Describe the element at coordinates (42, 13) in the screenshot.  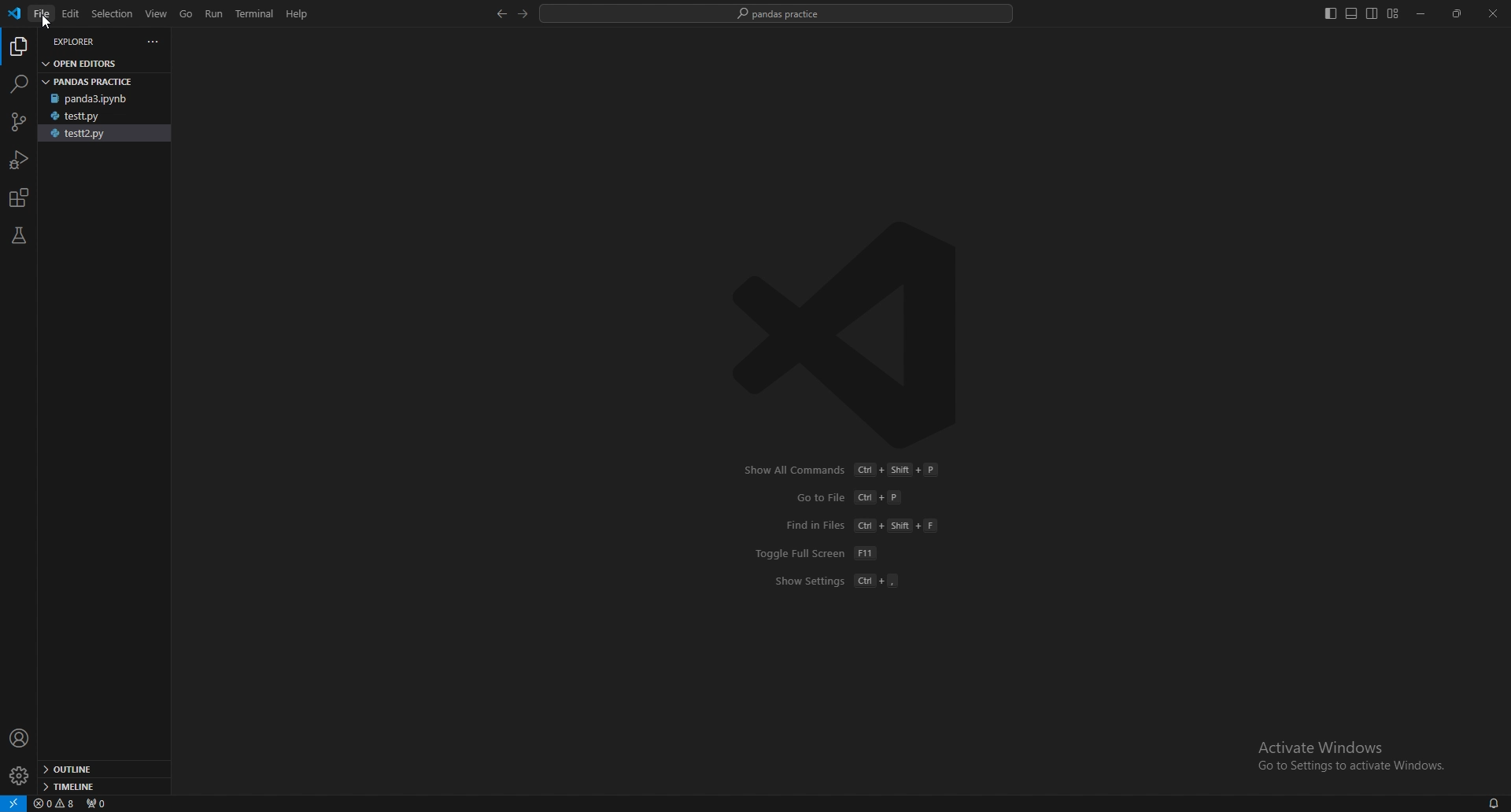
I see `file` at that location.